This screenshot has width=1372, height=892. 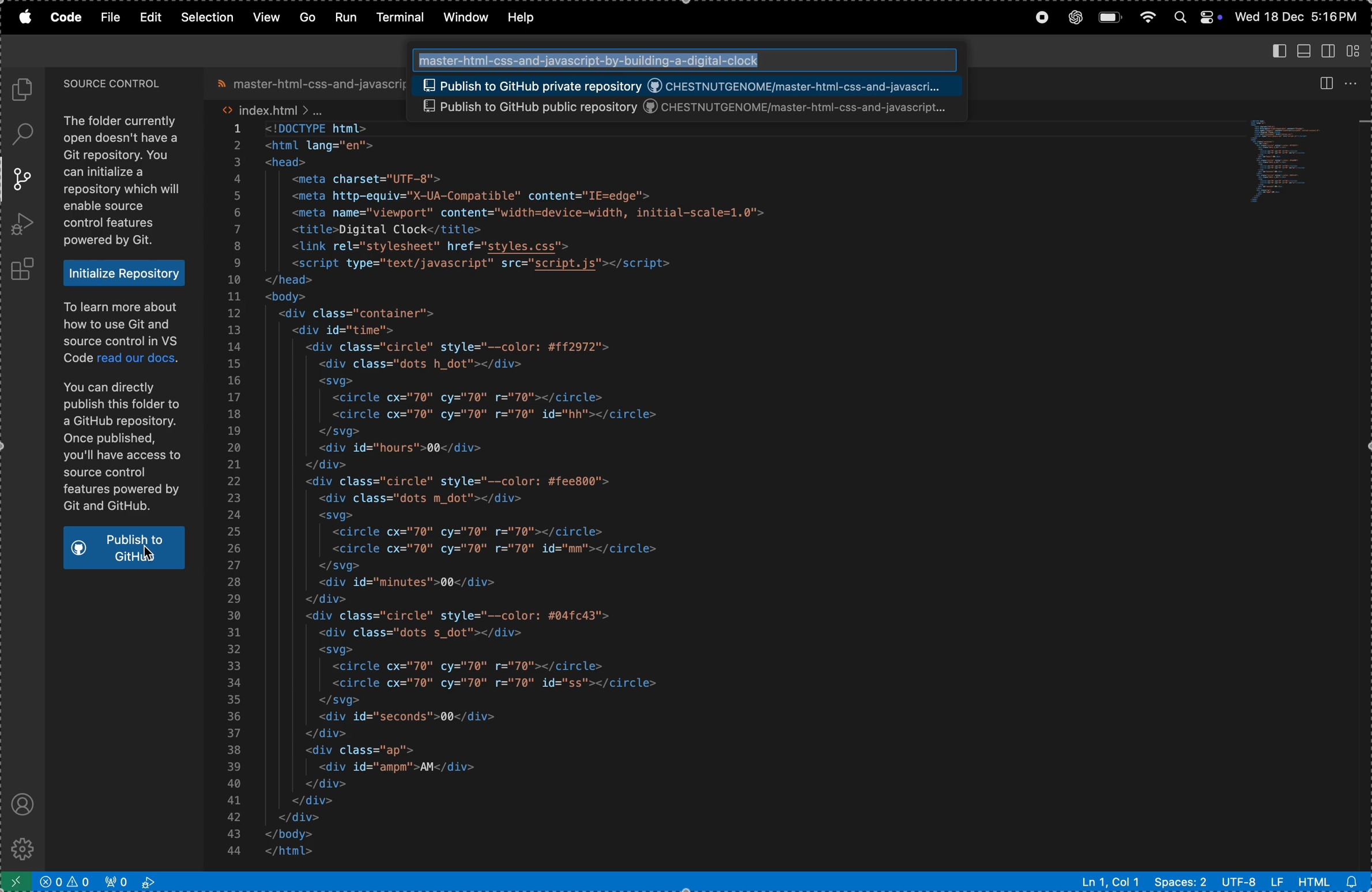 What do you see at coordinates (1109, 18) in the screenshot?
I see `battery` at bounding box center [1109, 18].